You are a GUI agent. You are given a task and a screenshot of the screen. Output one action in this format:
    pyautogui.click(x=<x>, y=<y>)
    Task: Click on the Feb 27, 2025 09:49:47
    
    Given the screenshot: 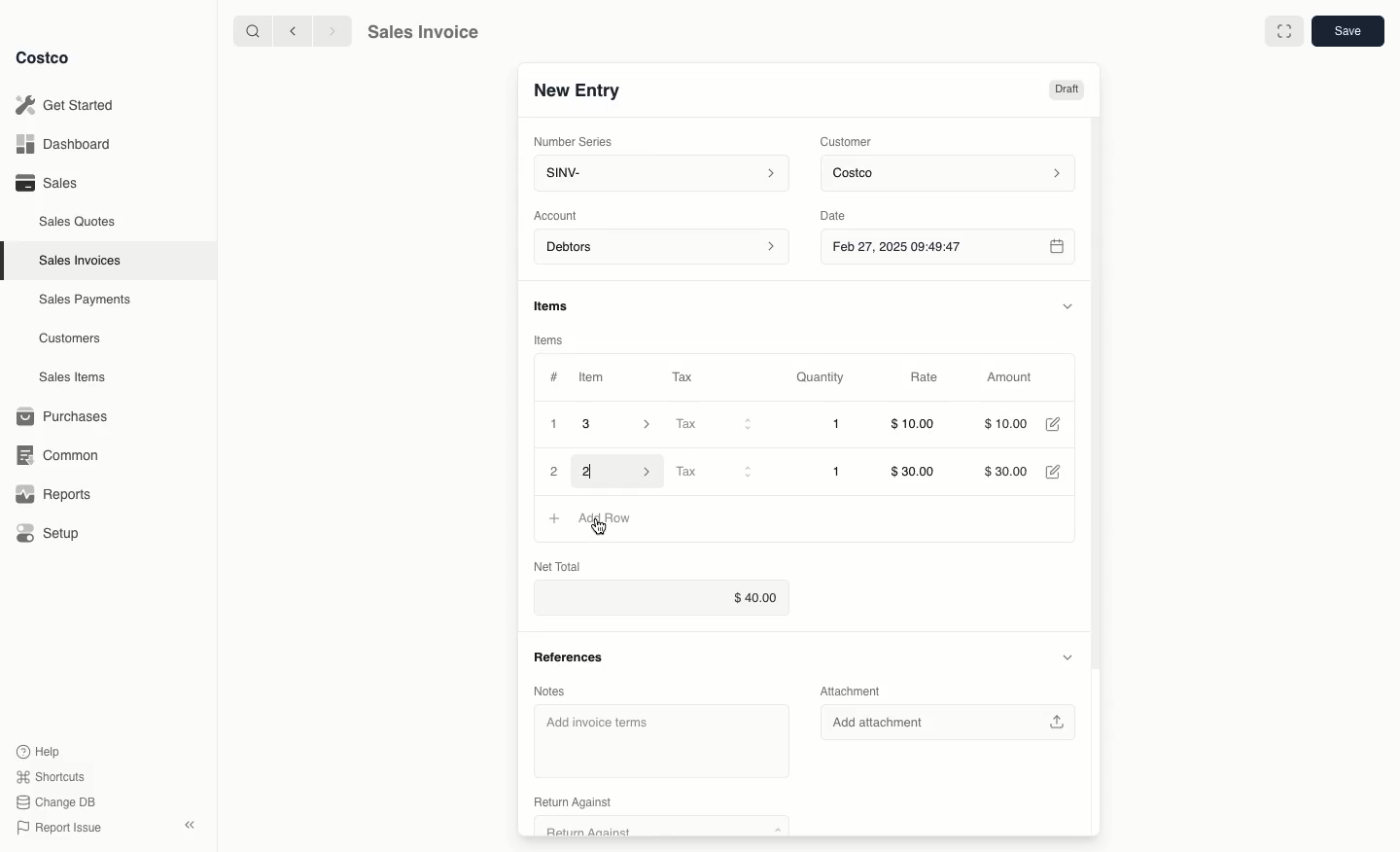 What is the action you would take?
    pyautogui.click(x=947, y=246)
    